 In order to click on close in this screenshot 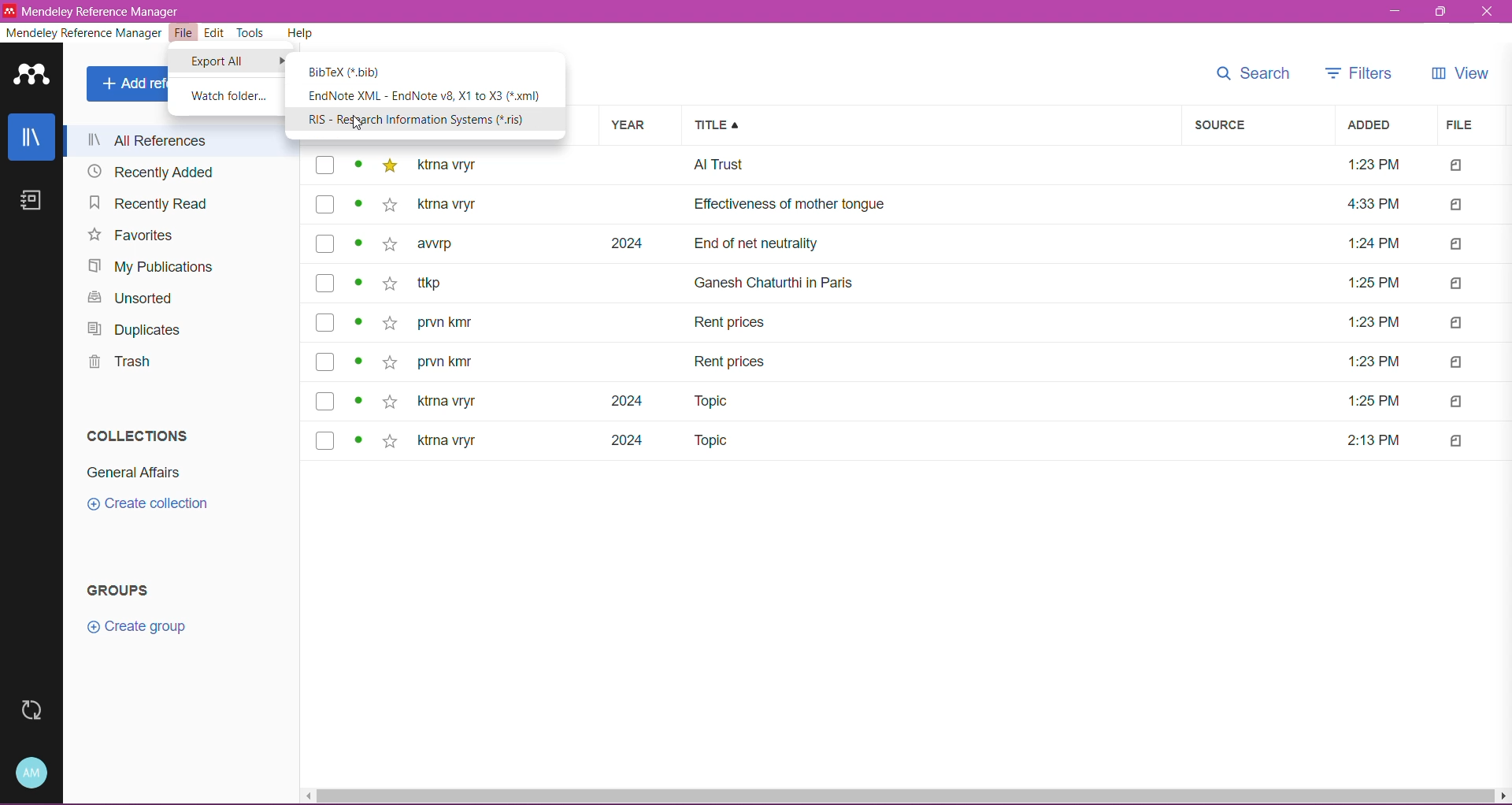, I will do `click(1486, 13)`.